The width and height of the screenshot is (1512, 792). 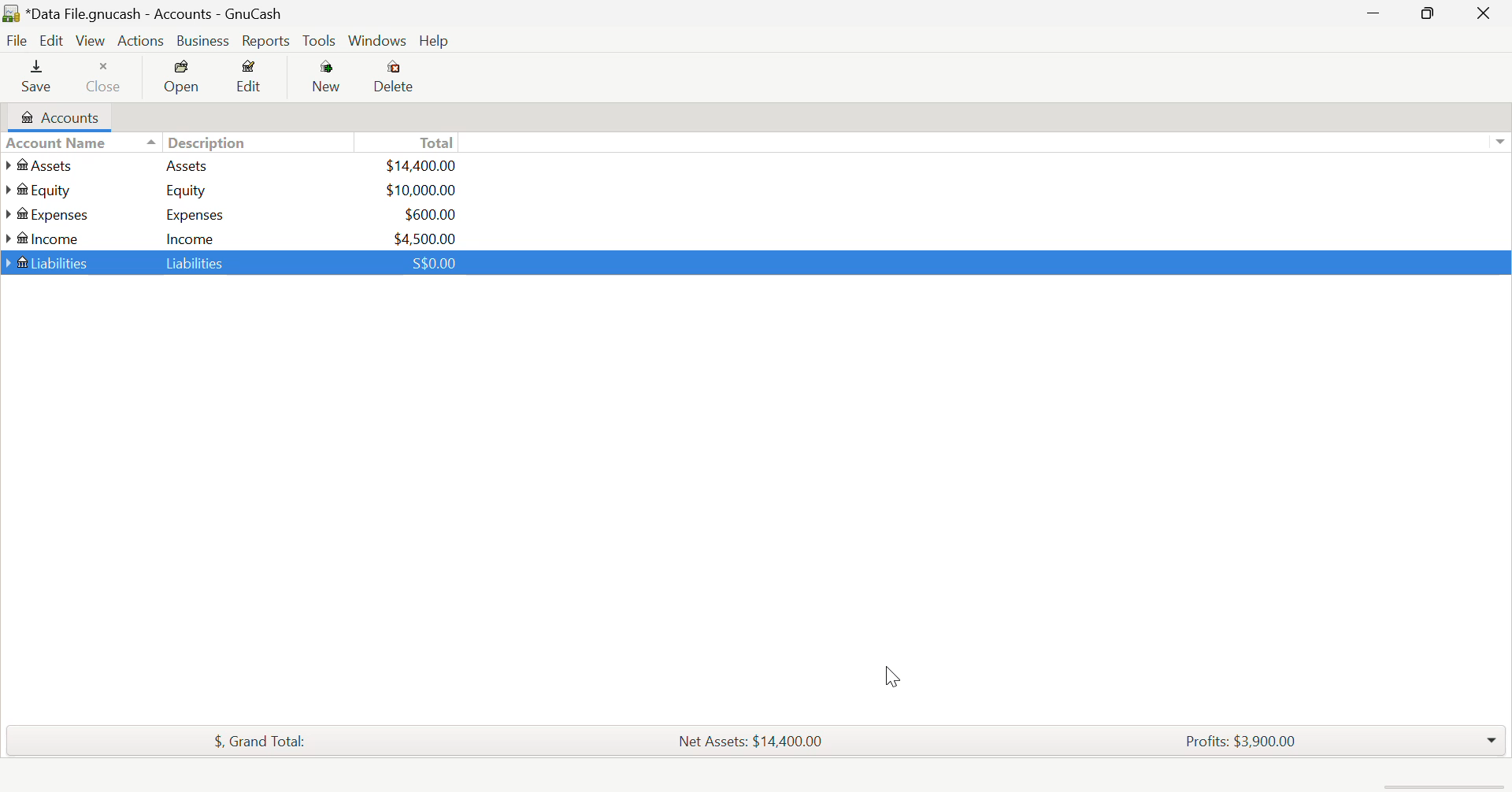 I want to click on Edit, so click(x=50, y=41).